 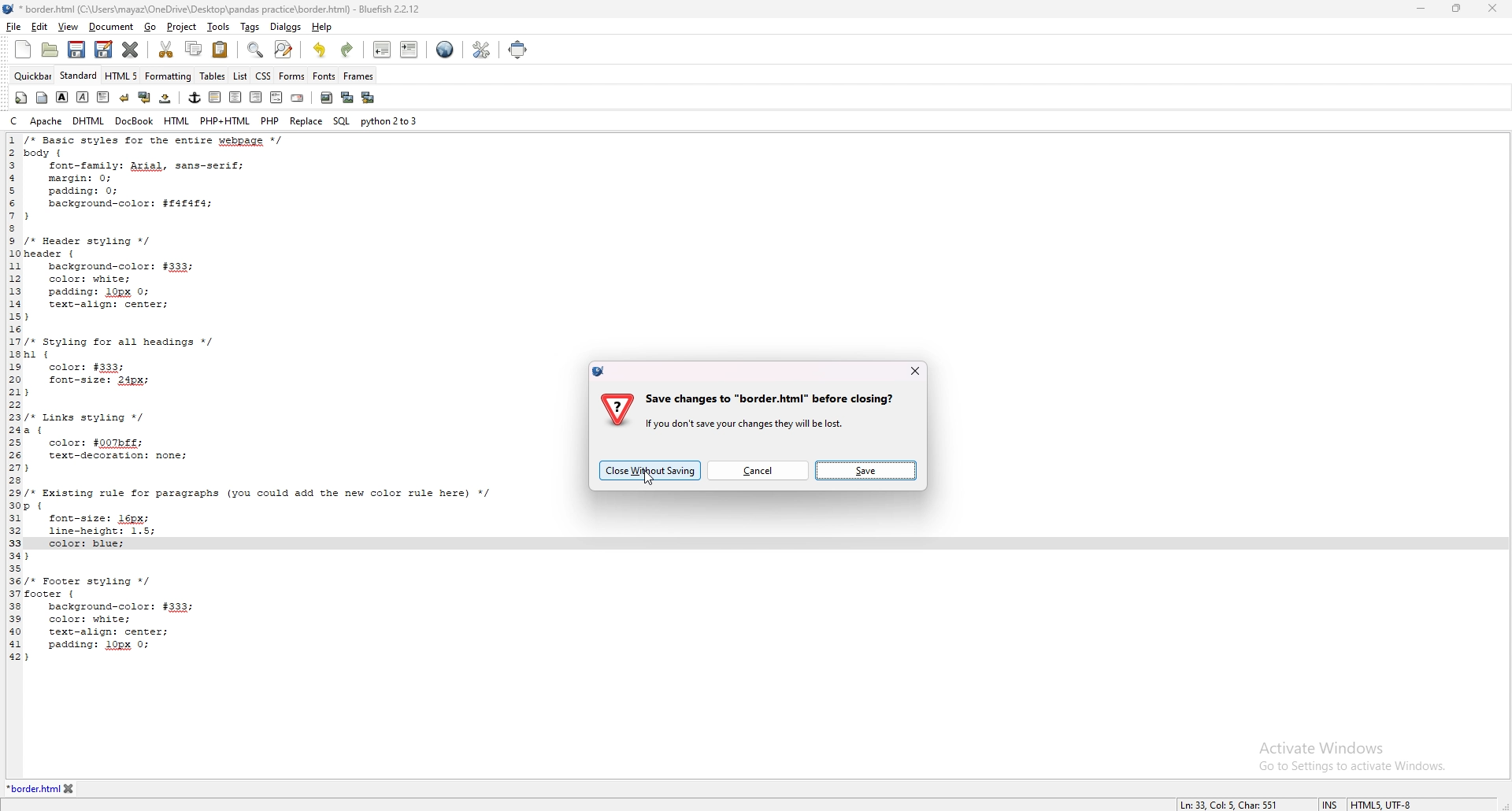 I want to click on code, so click(x=280, y=399).